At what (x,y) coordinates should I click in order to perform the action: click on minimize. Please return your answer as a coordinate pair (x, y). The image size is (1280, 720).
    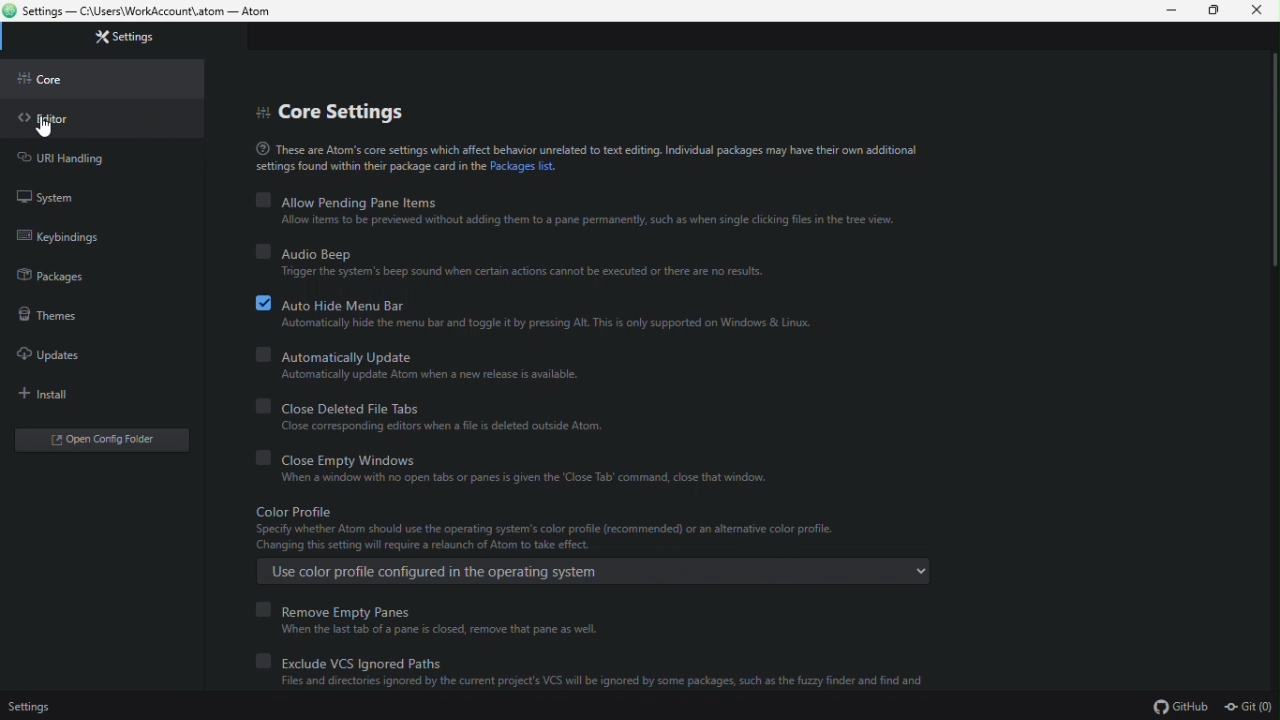
    Looking at the image, I should click on (1166, 11).